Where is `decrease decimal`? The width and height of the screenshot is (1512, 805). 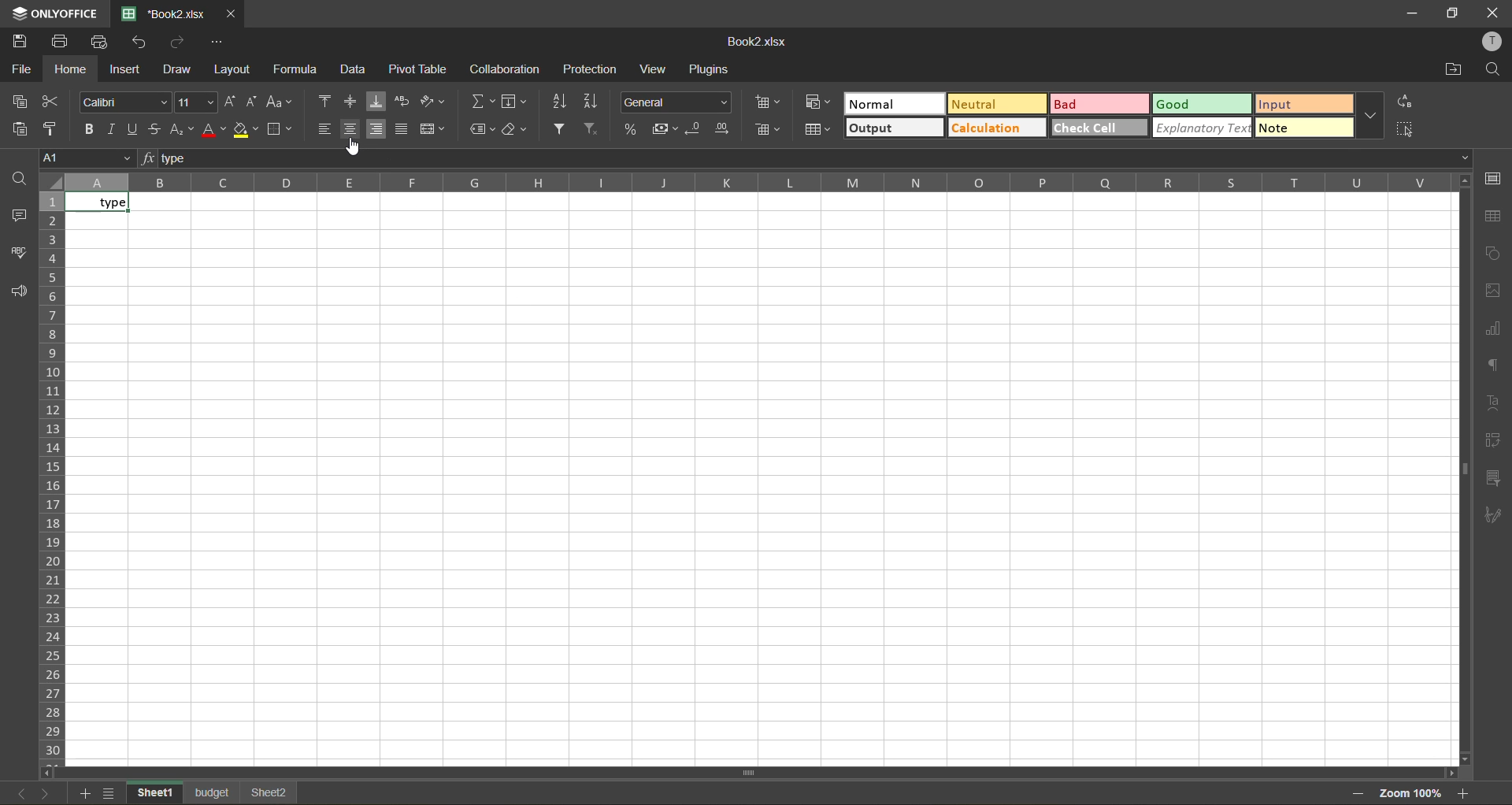 decrease decimal is located at coordinates (694, 128).